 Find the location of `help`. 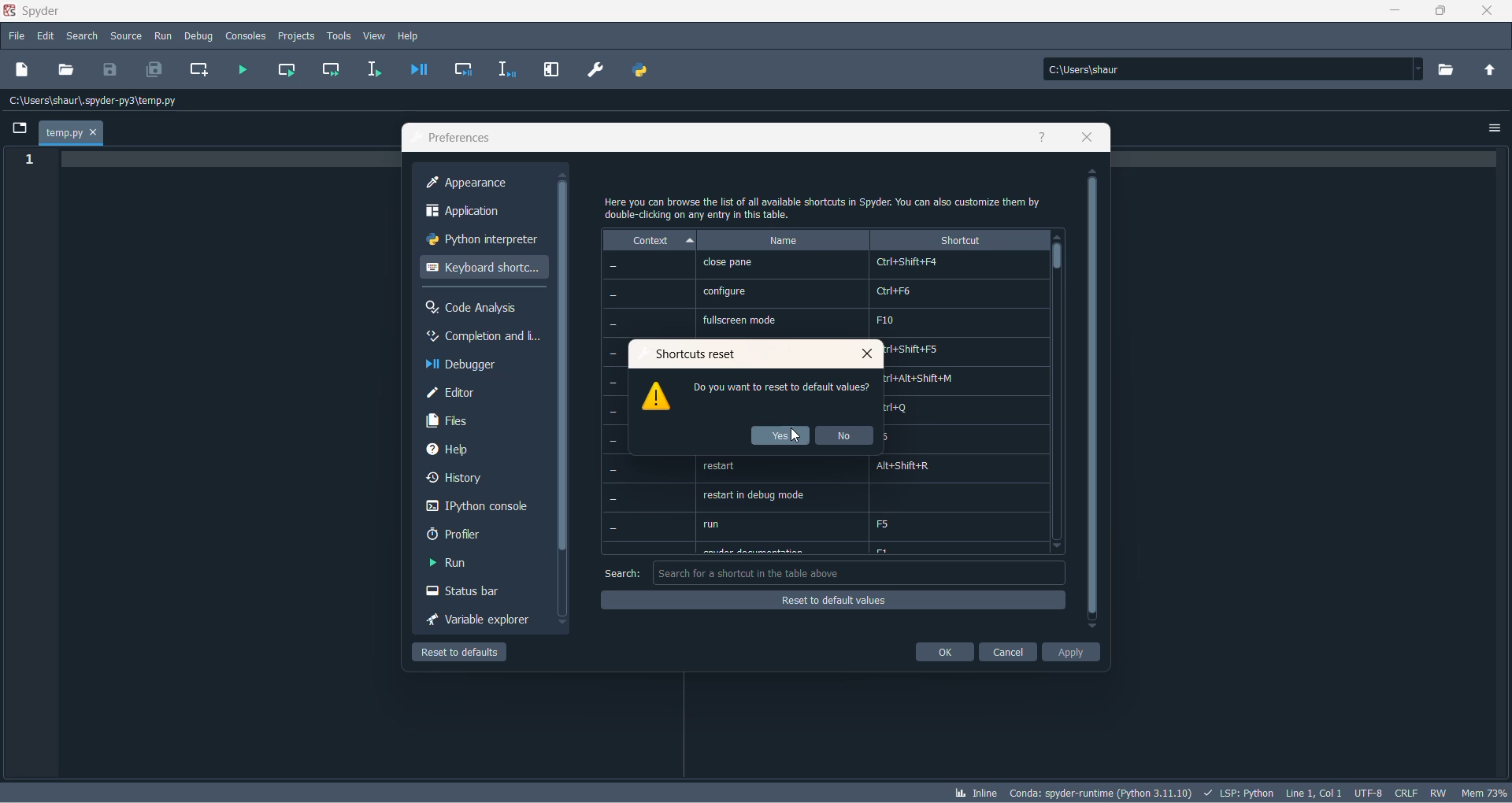

help is located at coordinates (1037, 138).